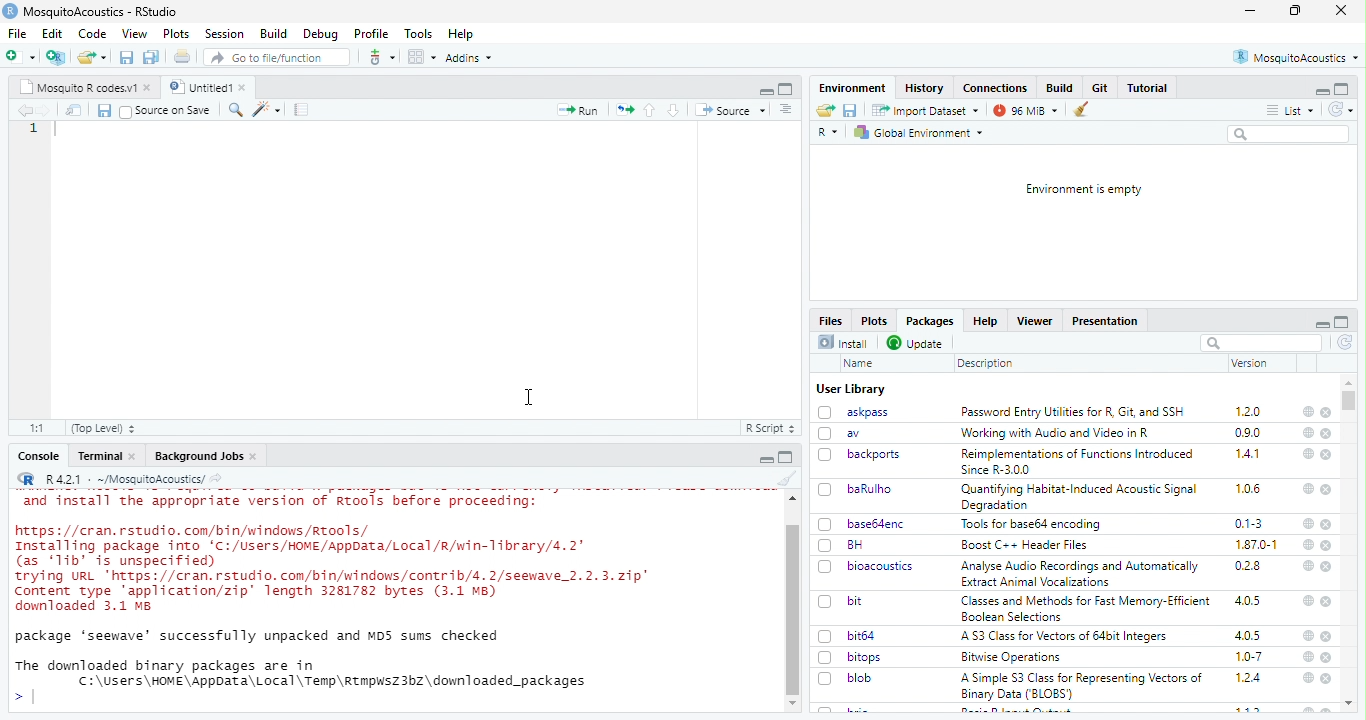 Image resolution: width=1366 pixels, height=720 pixels. I want to click on Build, so click(274, 34).